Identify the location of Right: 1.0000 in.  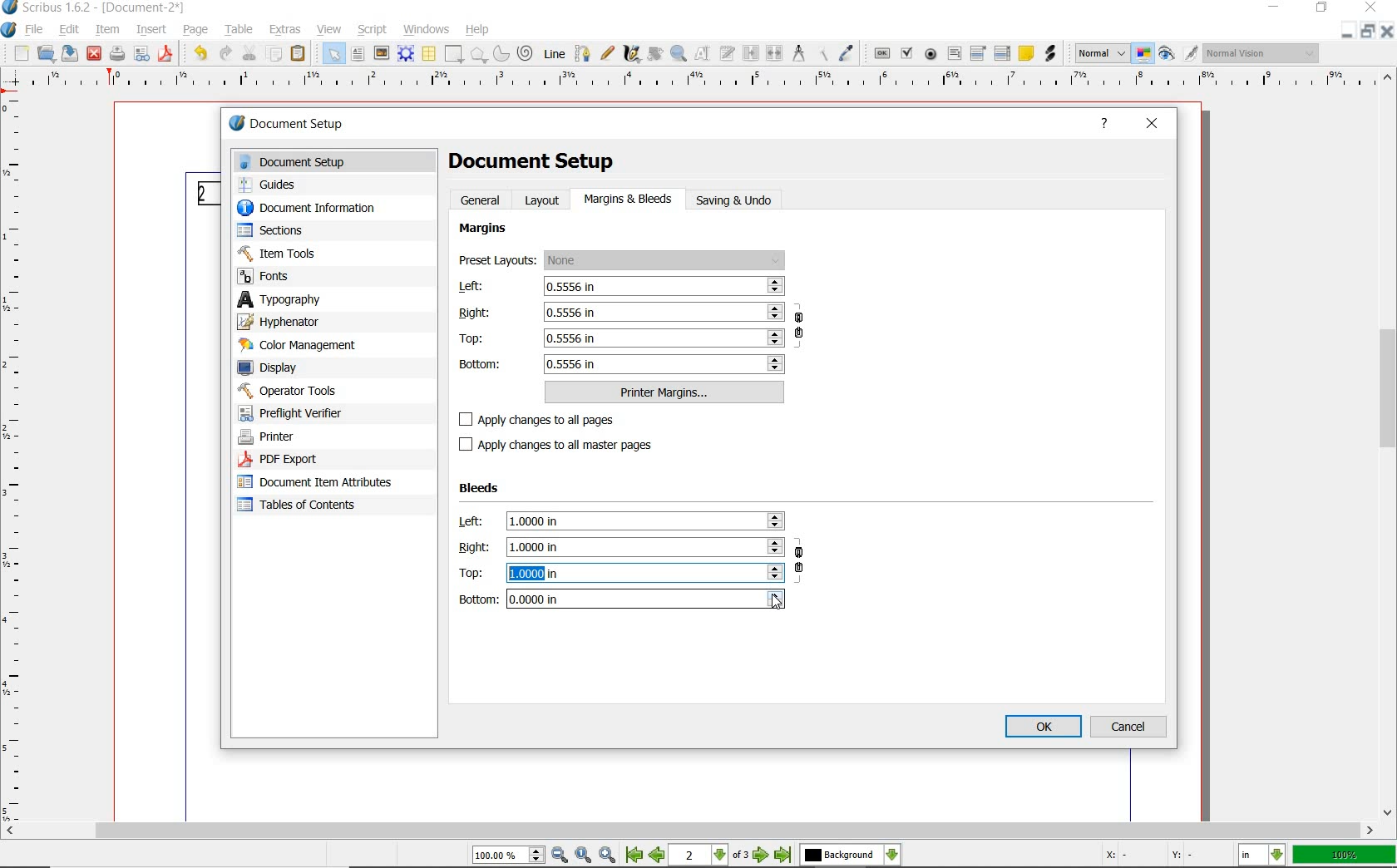
(620, 547).